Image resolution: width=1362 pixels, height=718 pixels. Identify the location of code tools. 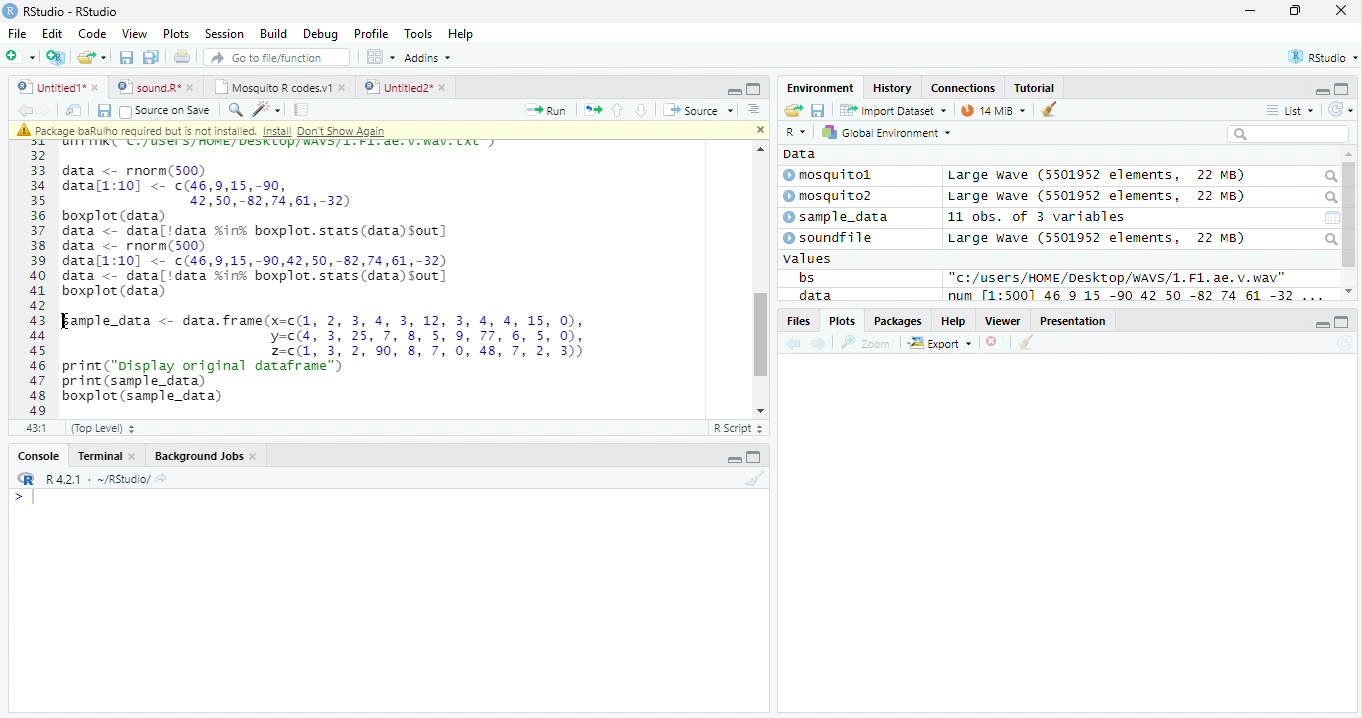
(267, 110).